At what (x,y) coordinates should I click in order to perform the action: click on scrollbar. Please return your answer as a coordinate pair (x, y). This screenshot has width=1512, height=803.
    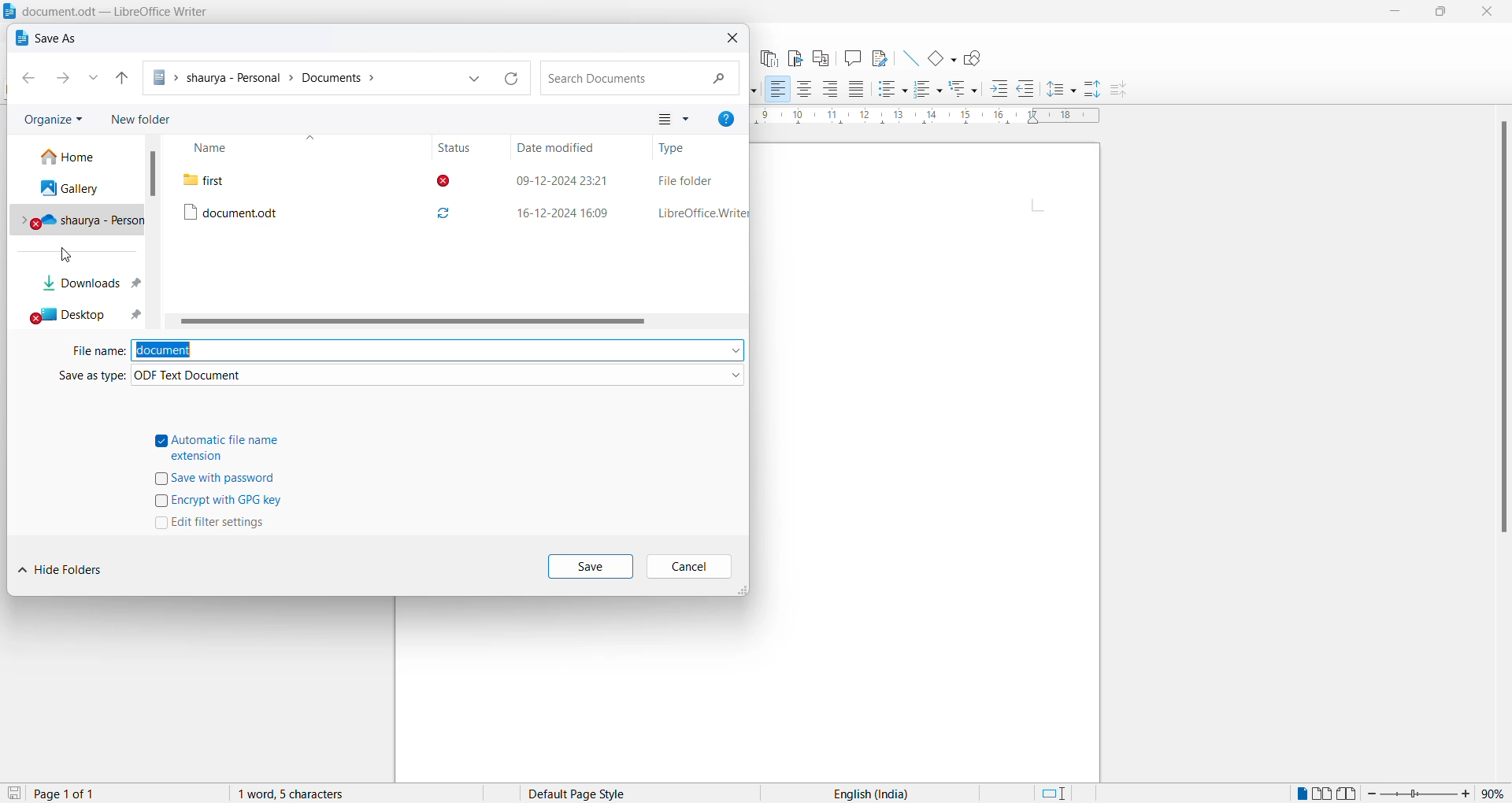
    Looking at the image, I should click on (1502, 332).